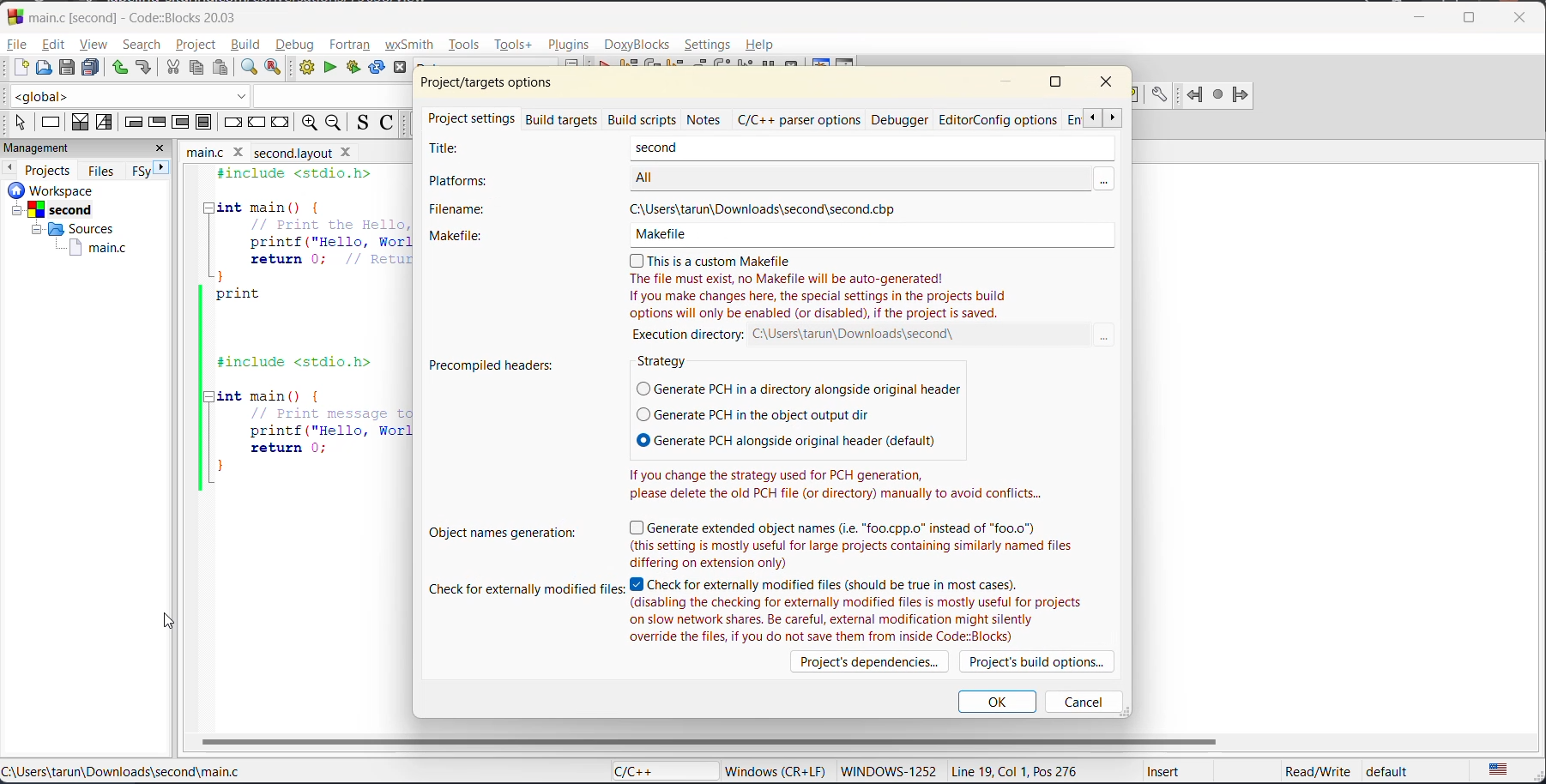 Image resolution: width=1546 pixels, height=784 pixels. I want to click on this is a custom makefile, so click(827, 286).